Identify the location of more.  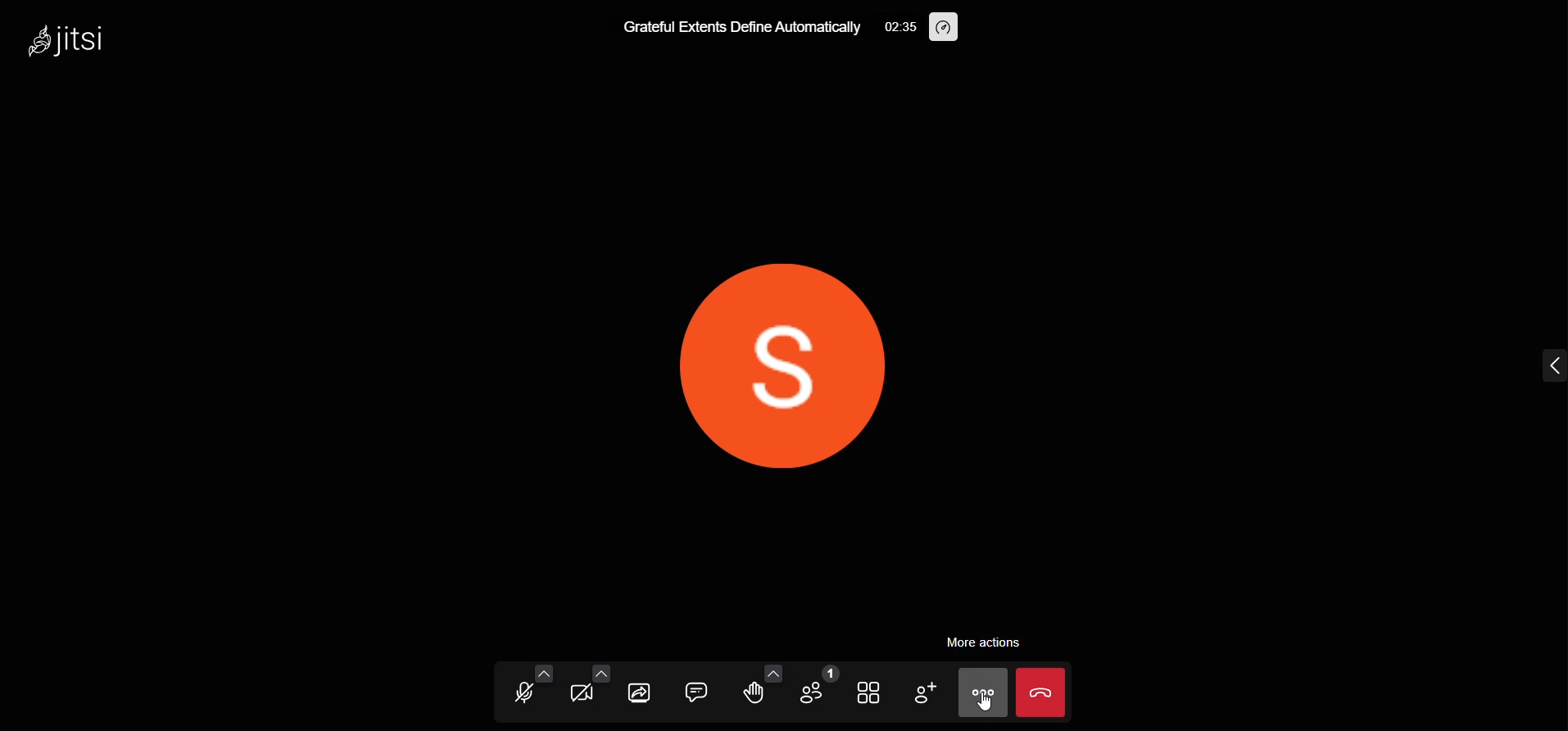
(980, 692).